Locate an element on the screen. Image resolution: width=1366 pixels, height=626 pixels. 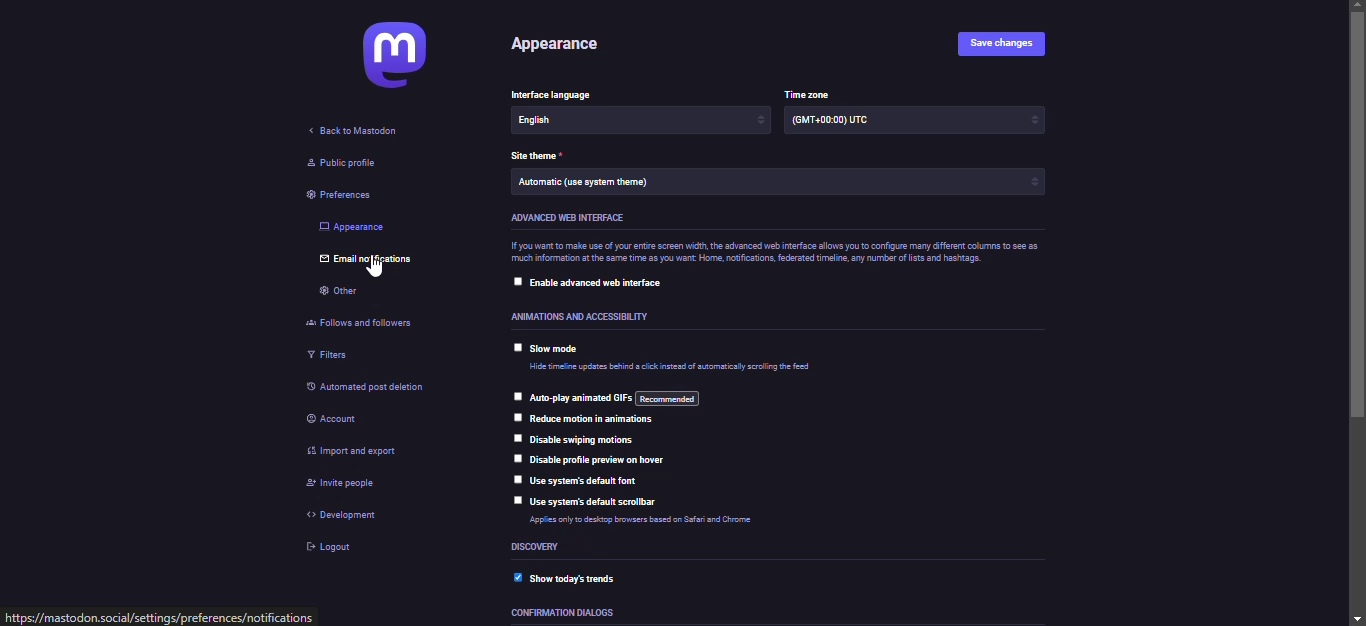
back to mastodon is located at coordinates (365, 131).